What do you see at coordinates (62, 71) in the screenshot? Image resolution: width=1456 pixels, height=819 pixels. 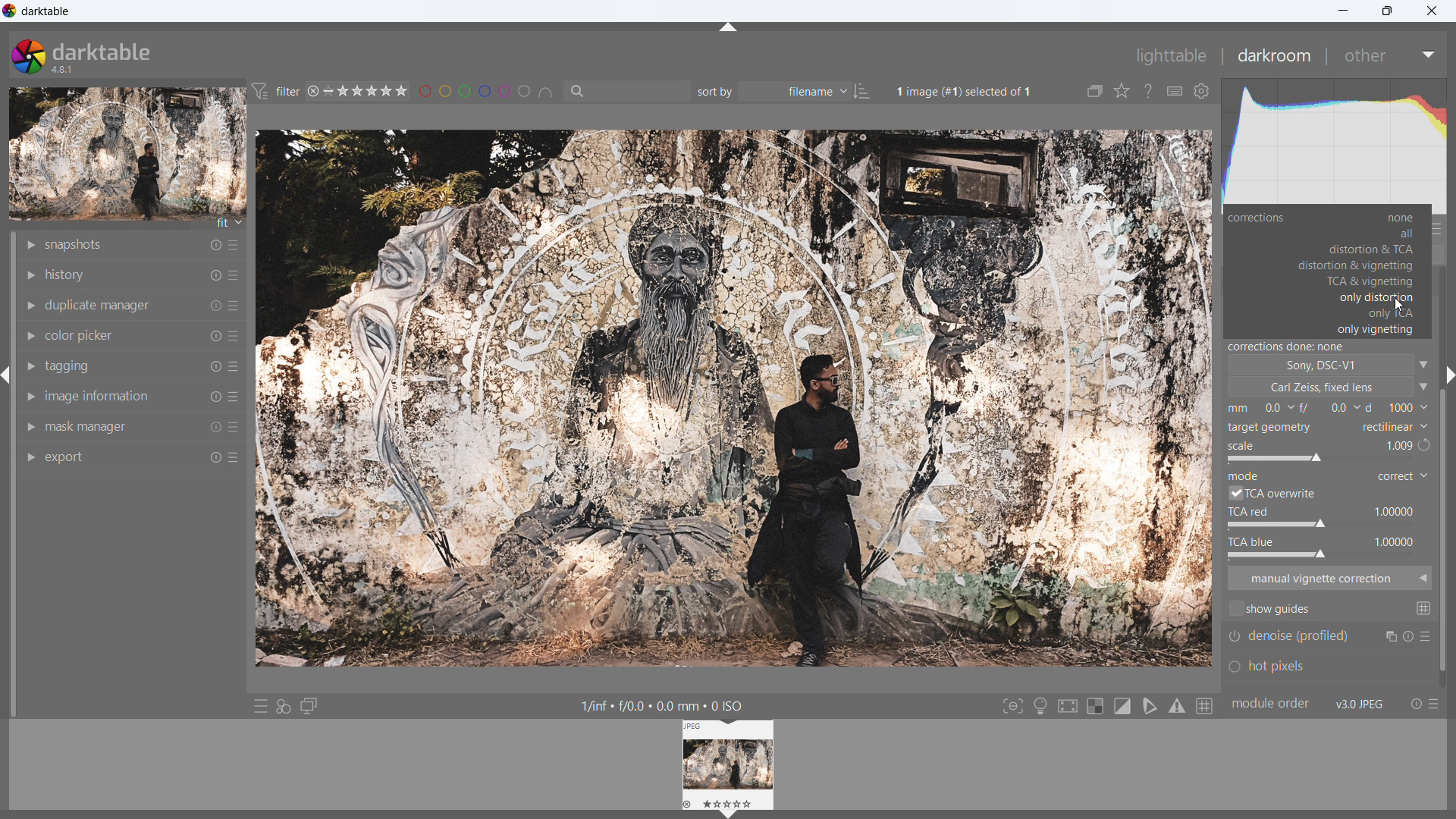 I see `version` at bounding box center [62, 71].